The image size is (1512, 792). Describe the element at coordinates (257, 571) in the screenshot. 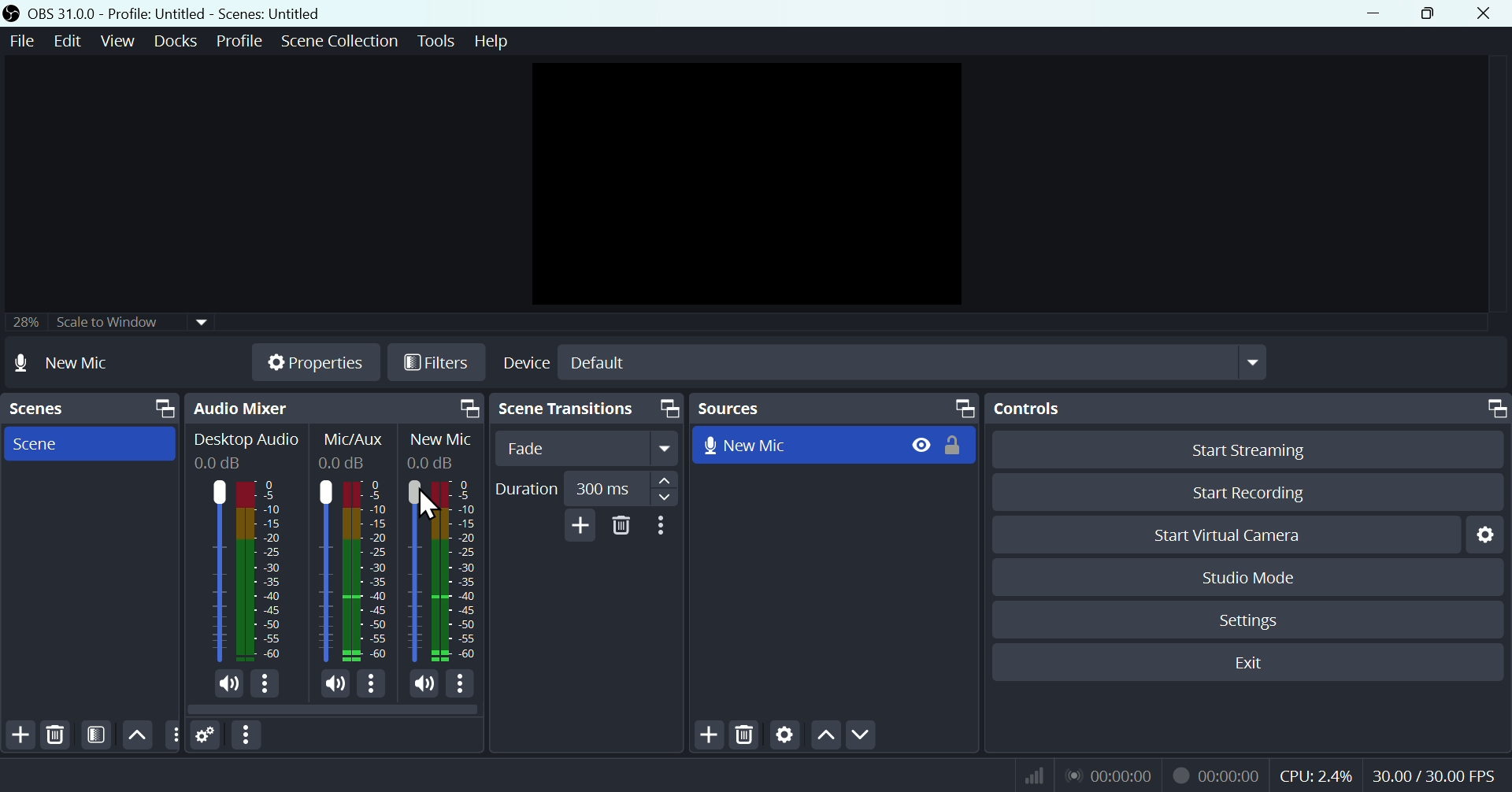

I see `Desktop Audio bar` at that location.